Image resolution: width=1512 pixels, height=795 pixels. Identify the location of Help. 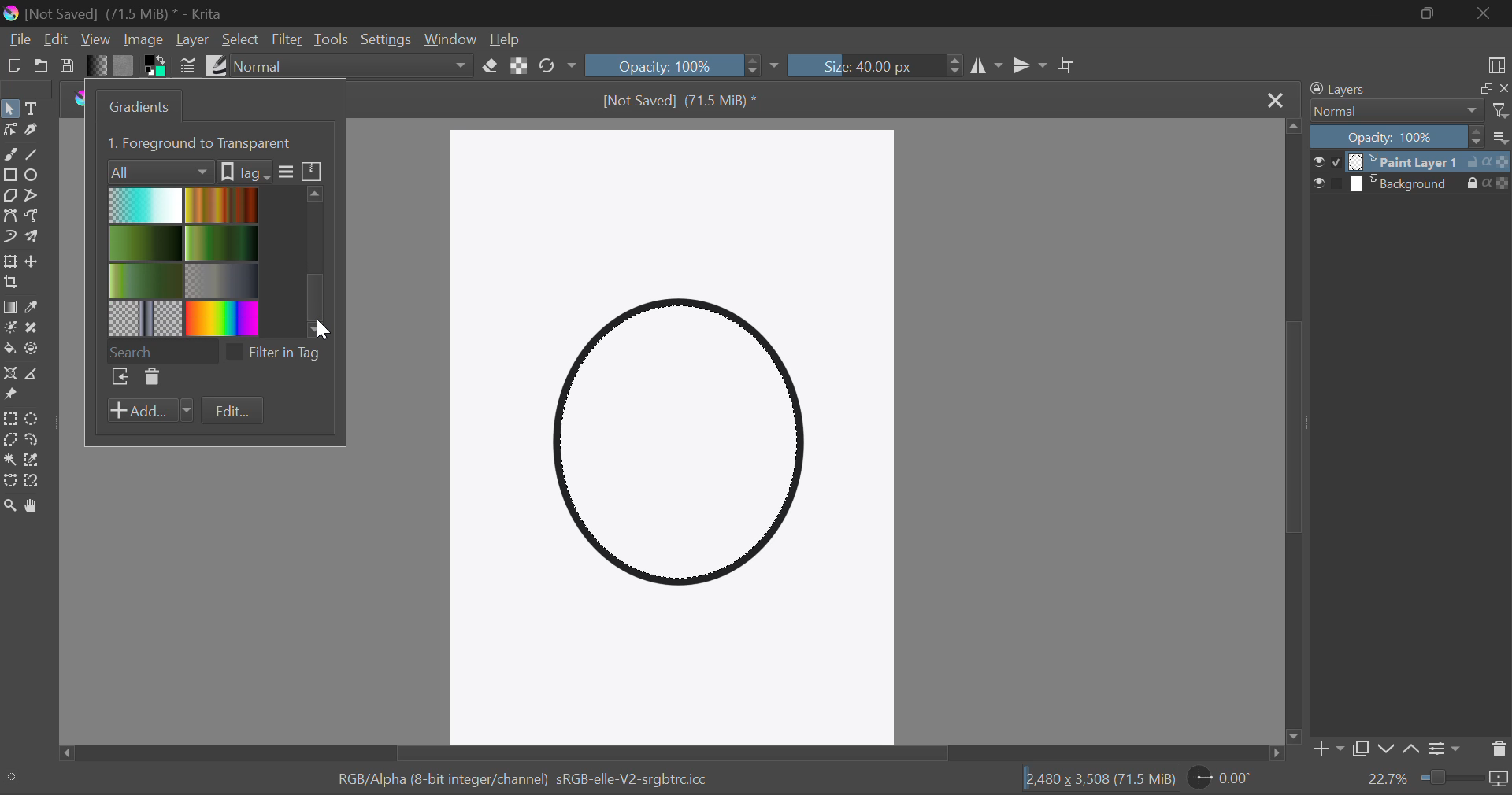
(509, 39).